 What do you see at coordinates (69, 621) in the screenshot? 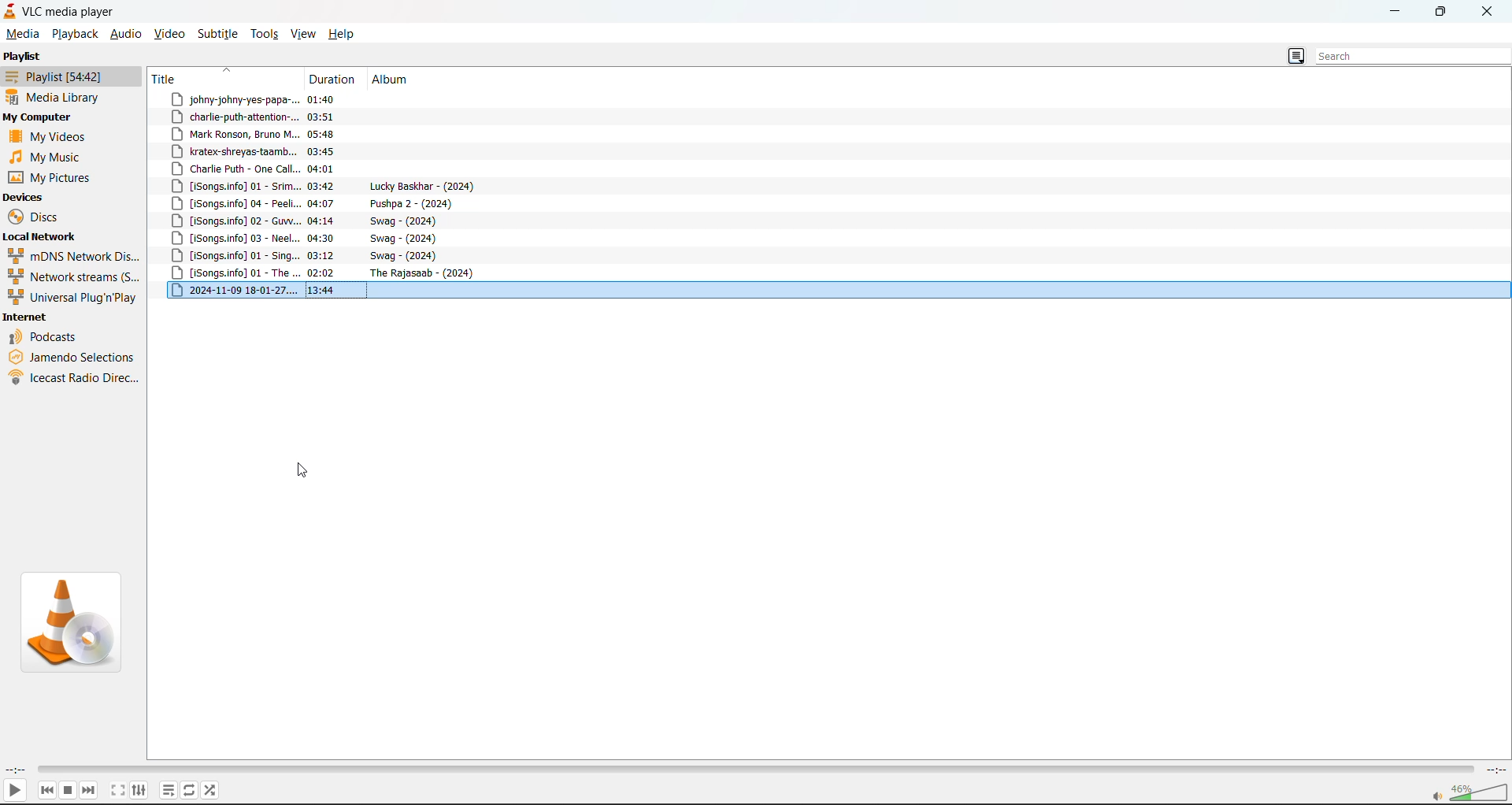
I see `thumbnail` at bounding box center [69, 621].